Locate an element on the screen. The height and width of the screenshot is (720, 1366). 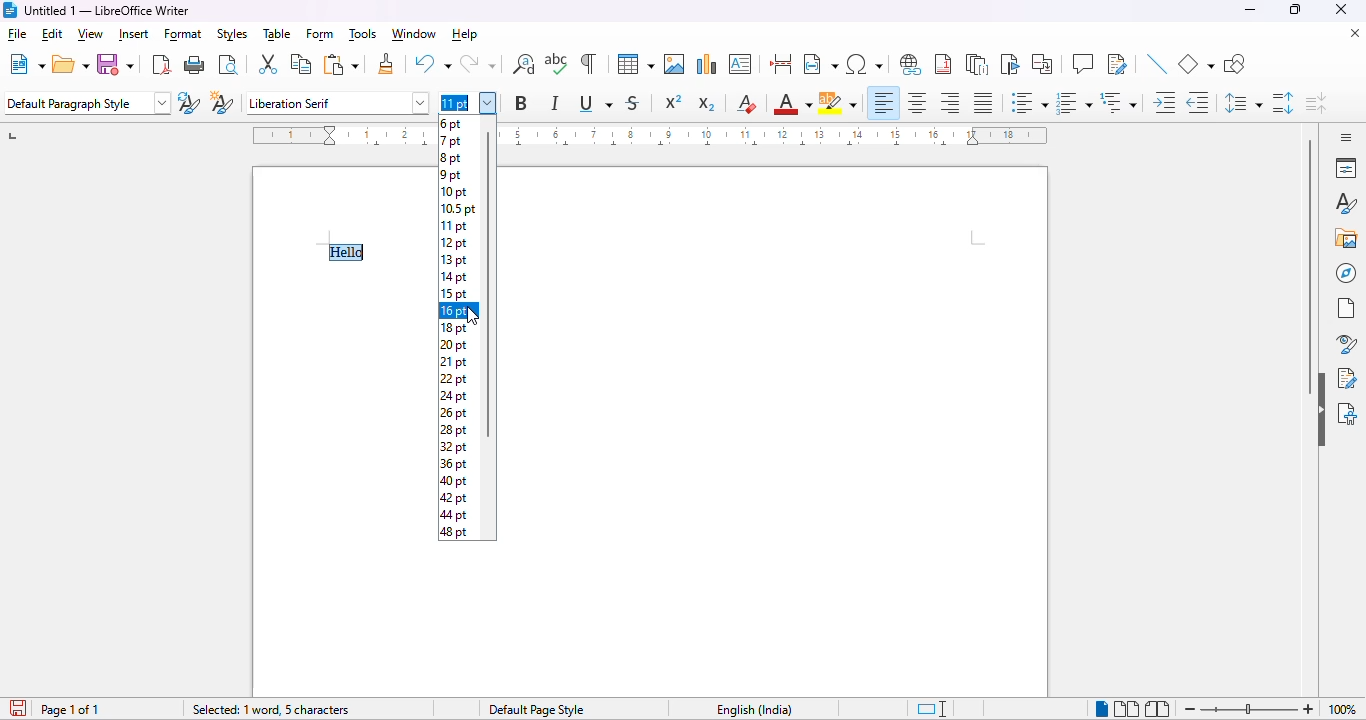
7 pt is located at coordinates (452, 141).